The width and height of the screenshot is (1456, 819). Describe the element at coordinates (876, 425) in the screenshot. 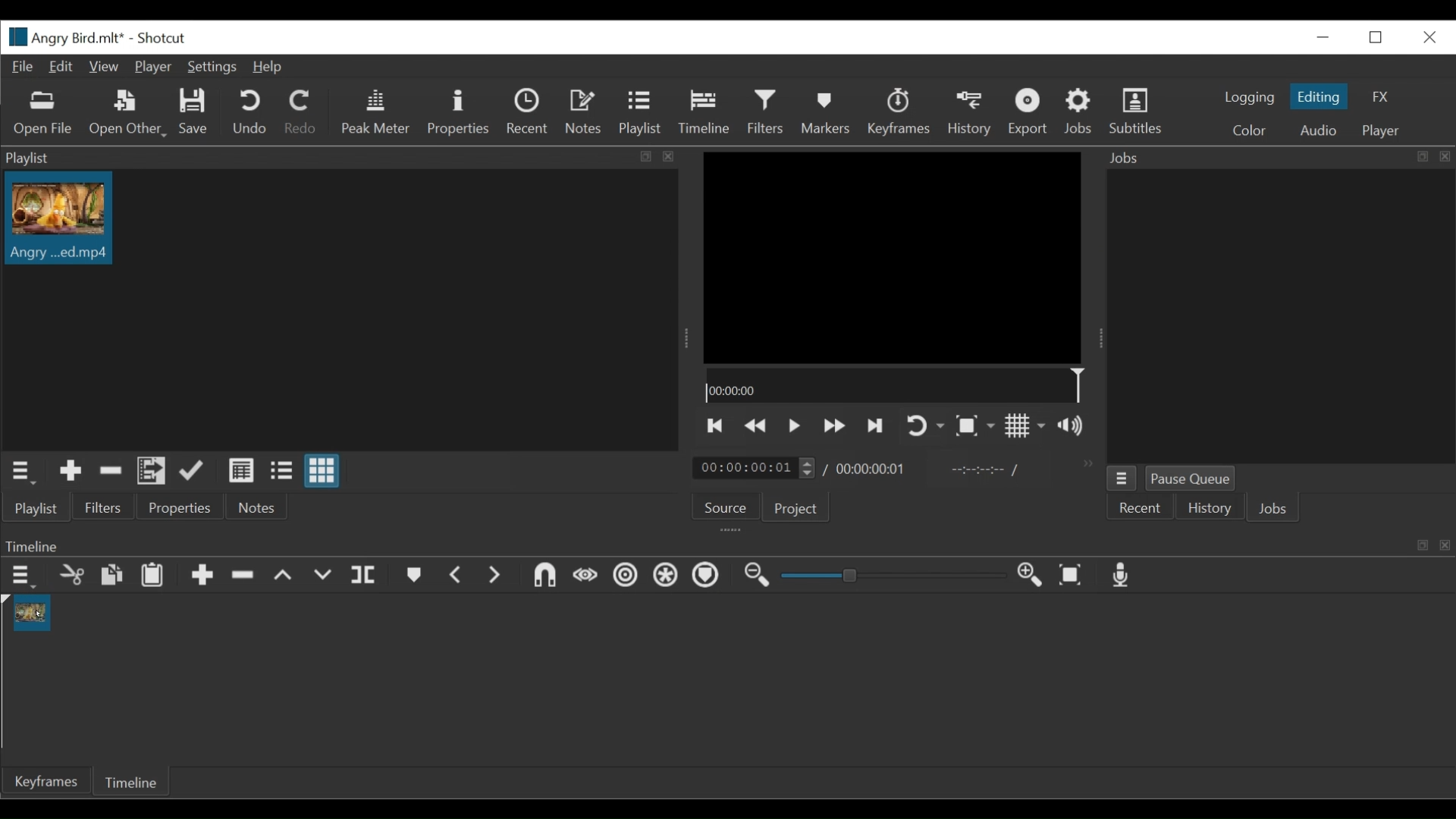

I see `Skip to the next point` at that location.